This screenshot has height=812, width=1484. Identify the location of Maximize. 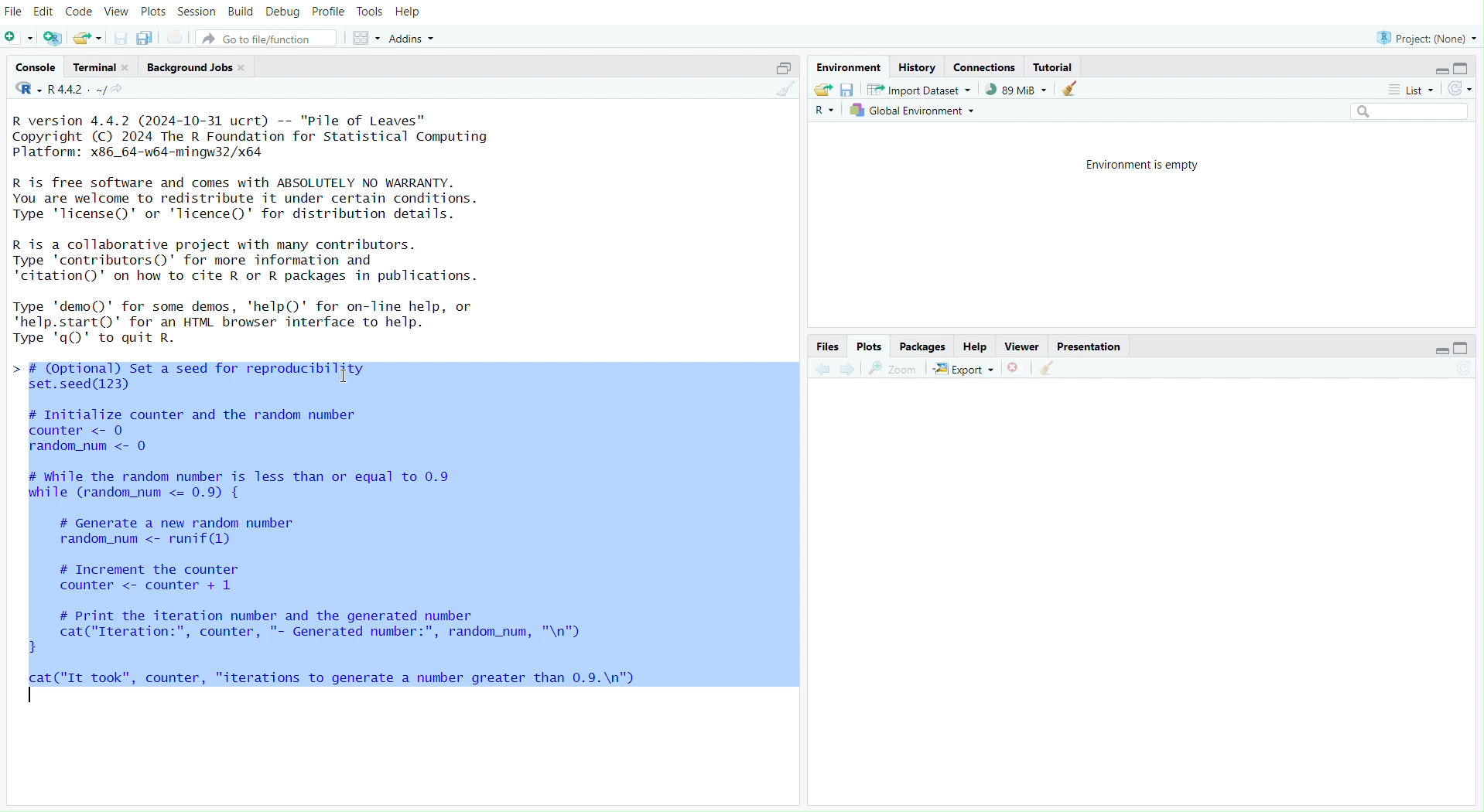
(782, 66).